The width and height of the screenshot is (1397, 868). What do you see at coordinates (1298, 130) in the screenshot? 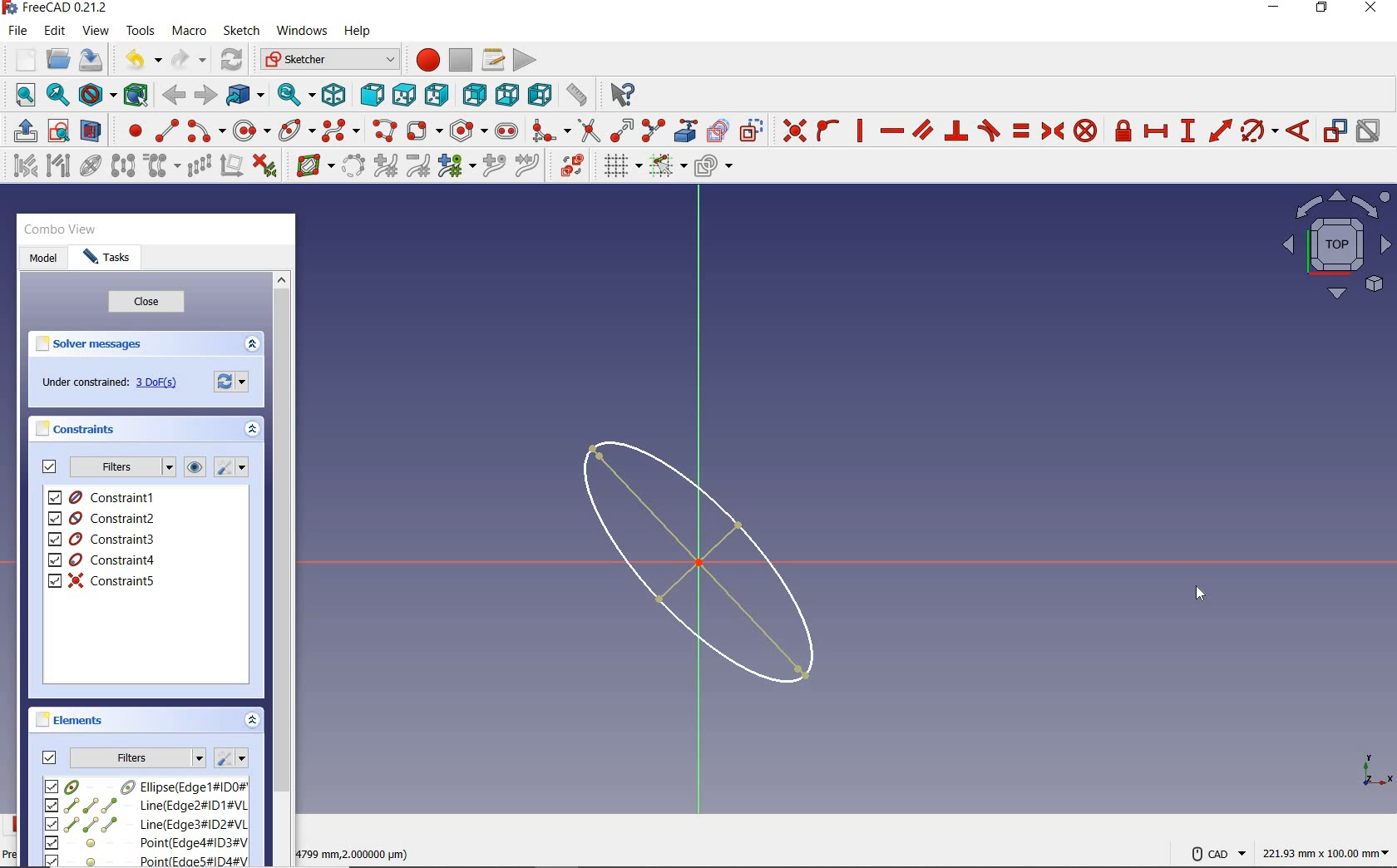
I see `constrain angle` at bounding box center [1298, 130].